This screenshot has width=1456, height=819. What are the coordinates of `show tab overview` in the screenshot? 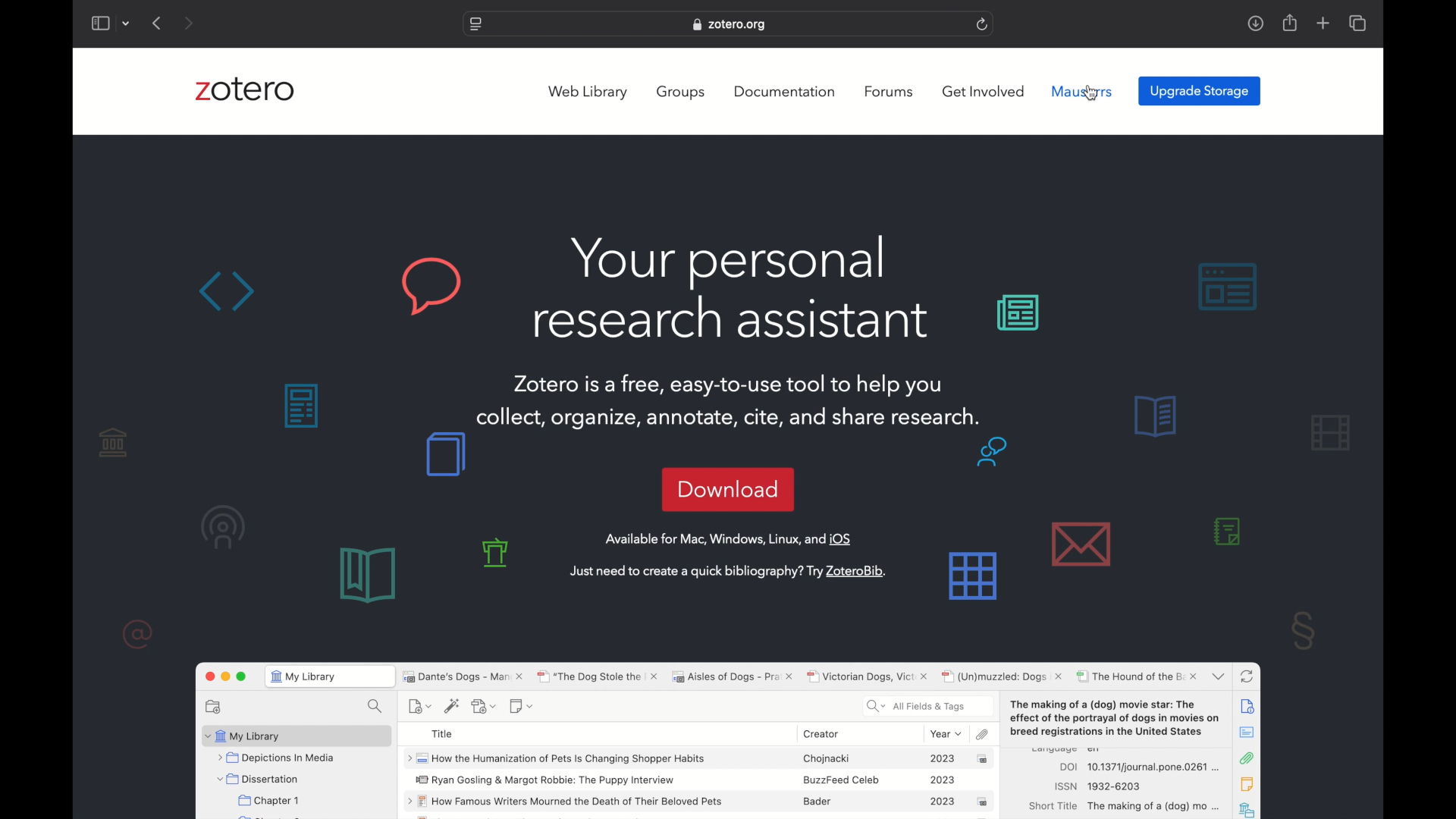 It's located at (1357, 23).